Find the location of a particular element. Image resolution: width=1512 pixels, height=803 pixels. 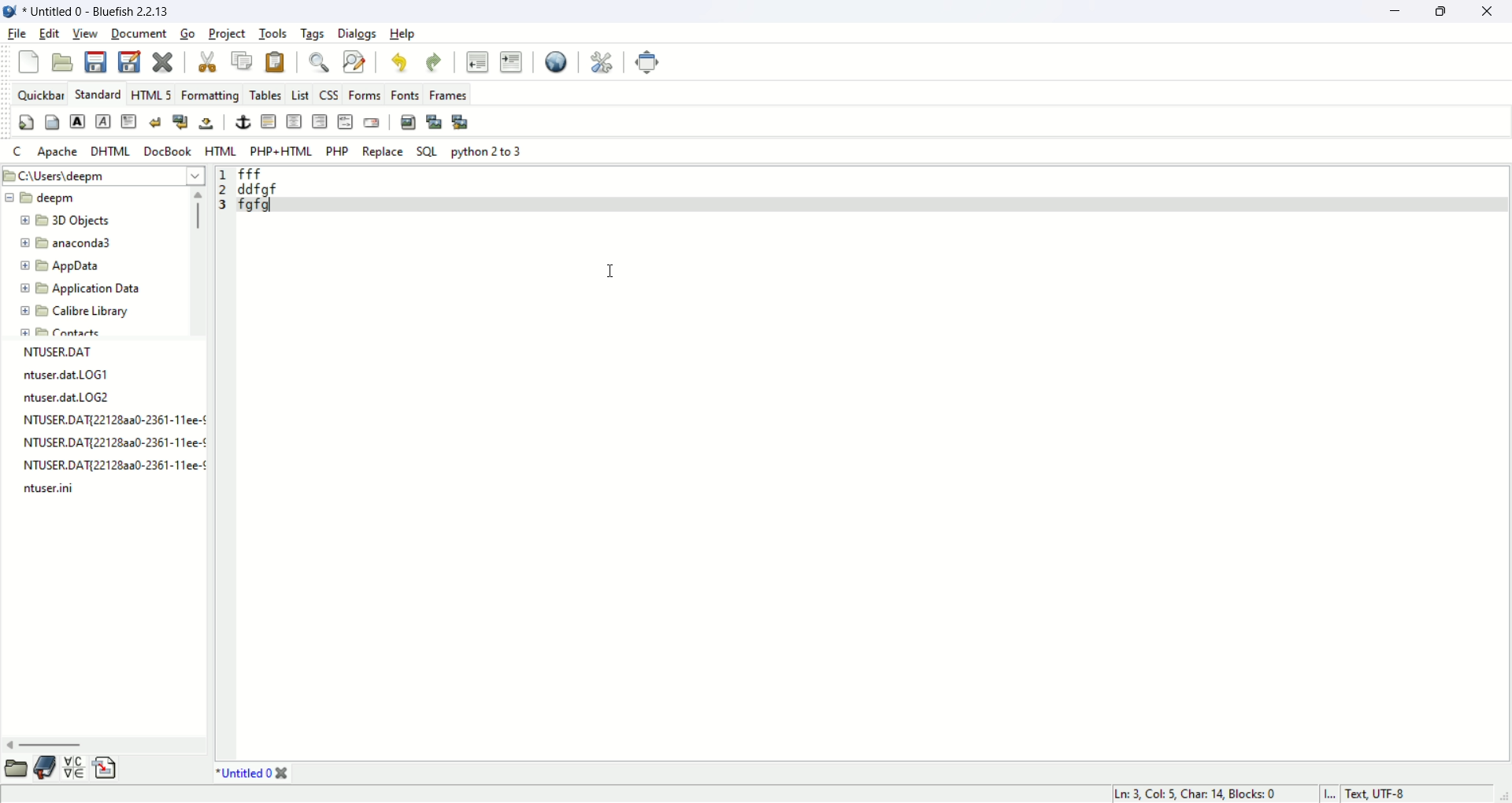

tags is located at coordinates (313, 34).